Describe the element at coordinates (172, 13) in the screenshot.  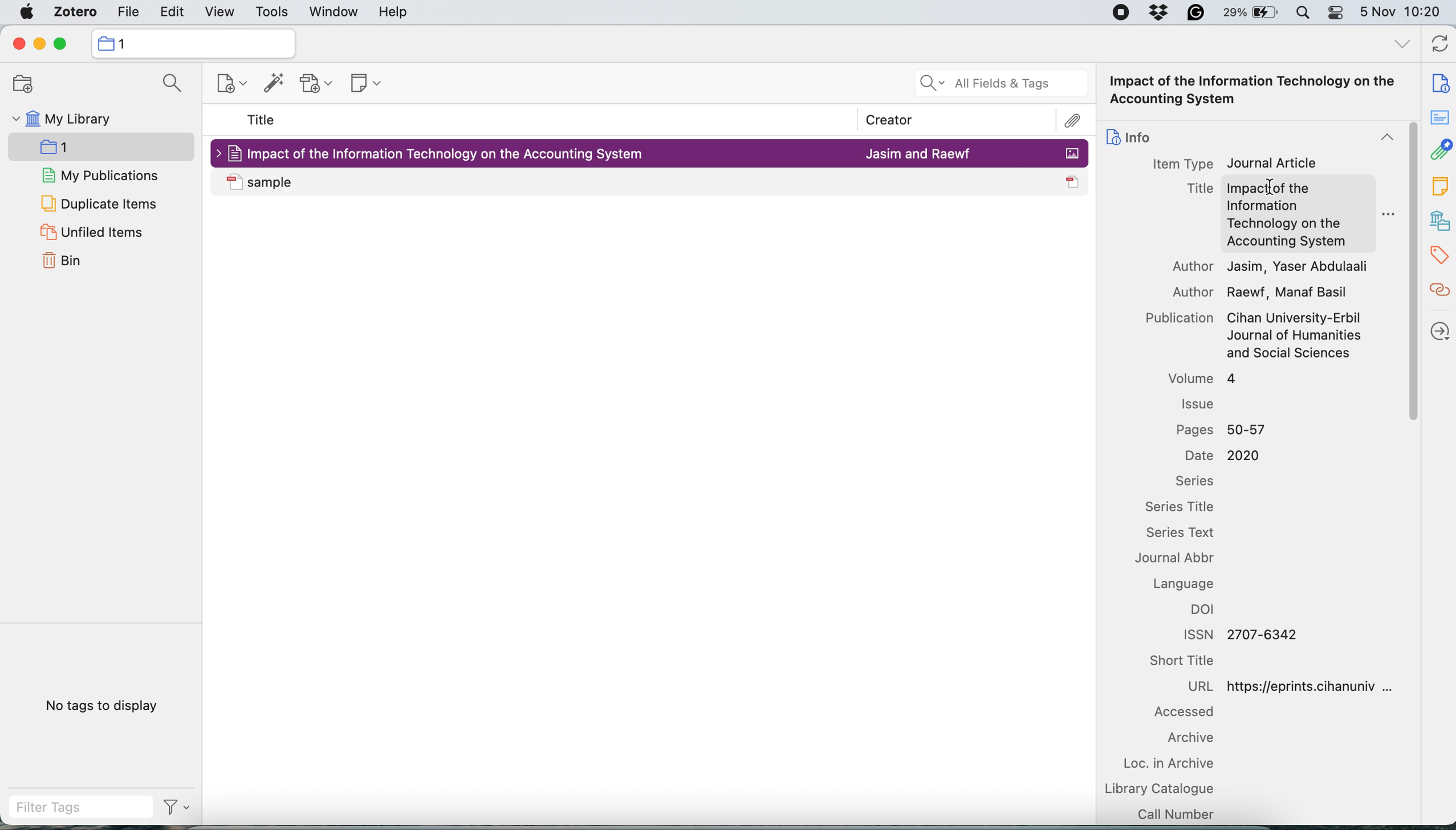
I see `edit` at that location.